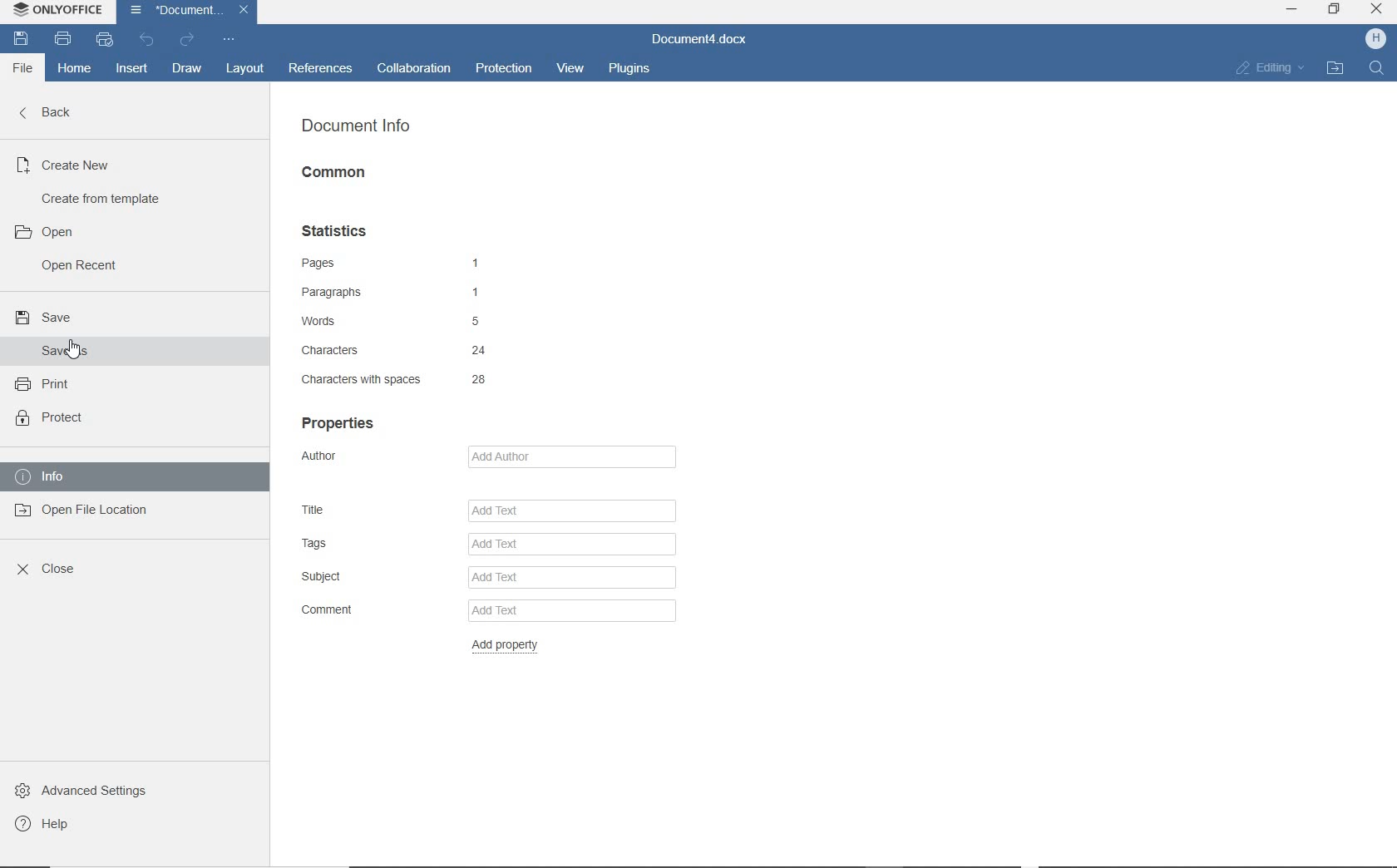 Image resolution: width=1397 pixels, height=868 pixels. Describe the element at coordinates (1271, 67) in the screenshot. I see `editing` at that location.